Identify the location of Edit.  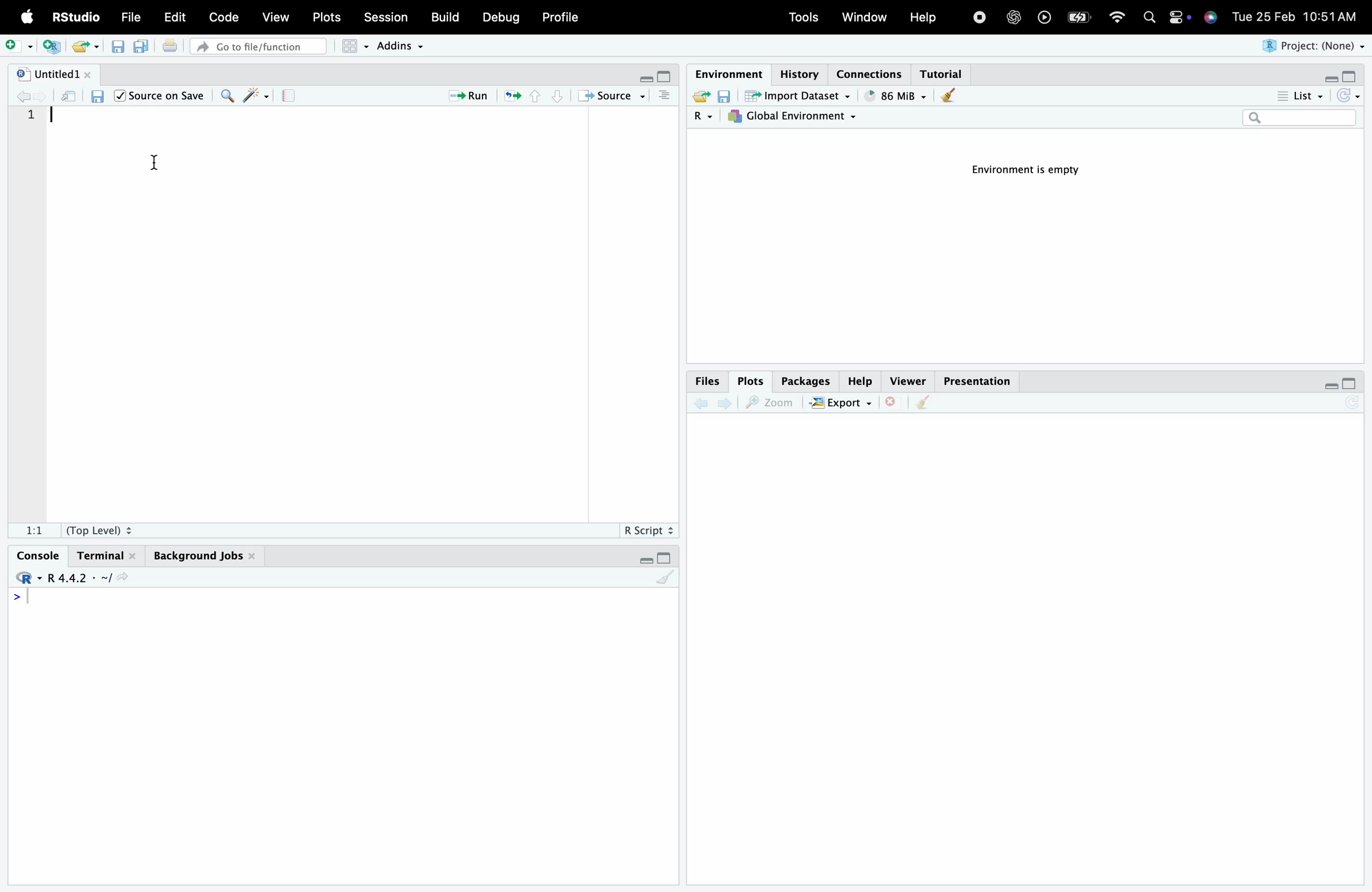
(177, 18).